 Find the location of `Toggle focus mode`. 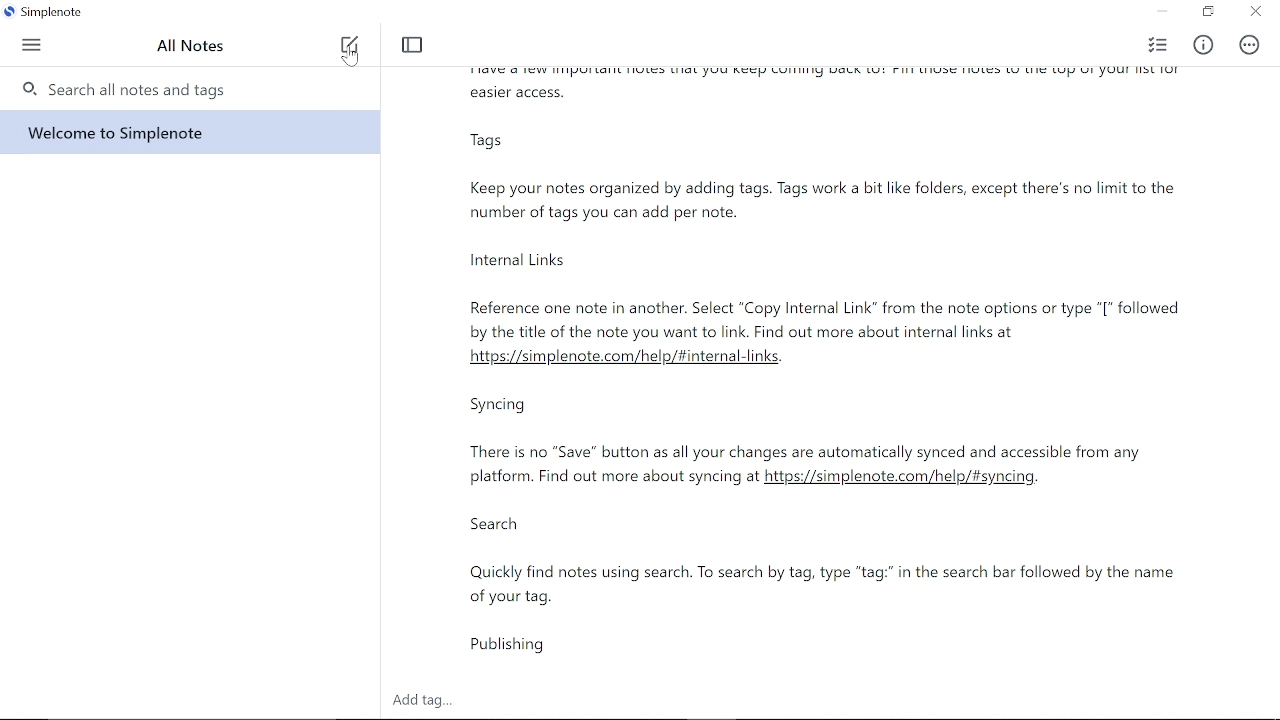

Toggle focus mode is located at coordinates (413, 44).